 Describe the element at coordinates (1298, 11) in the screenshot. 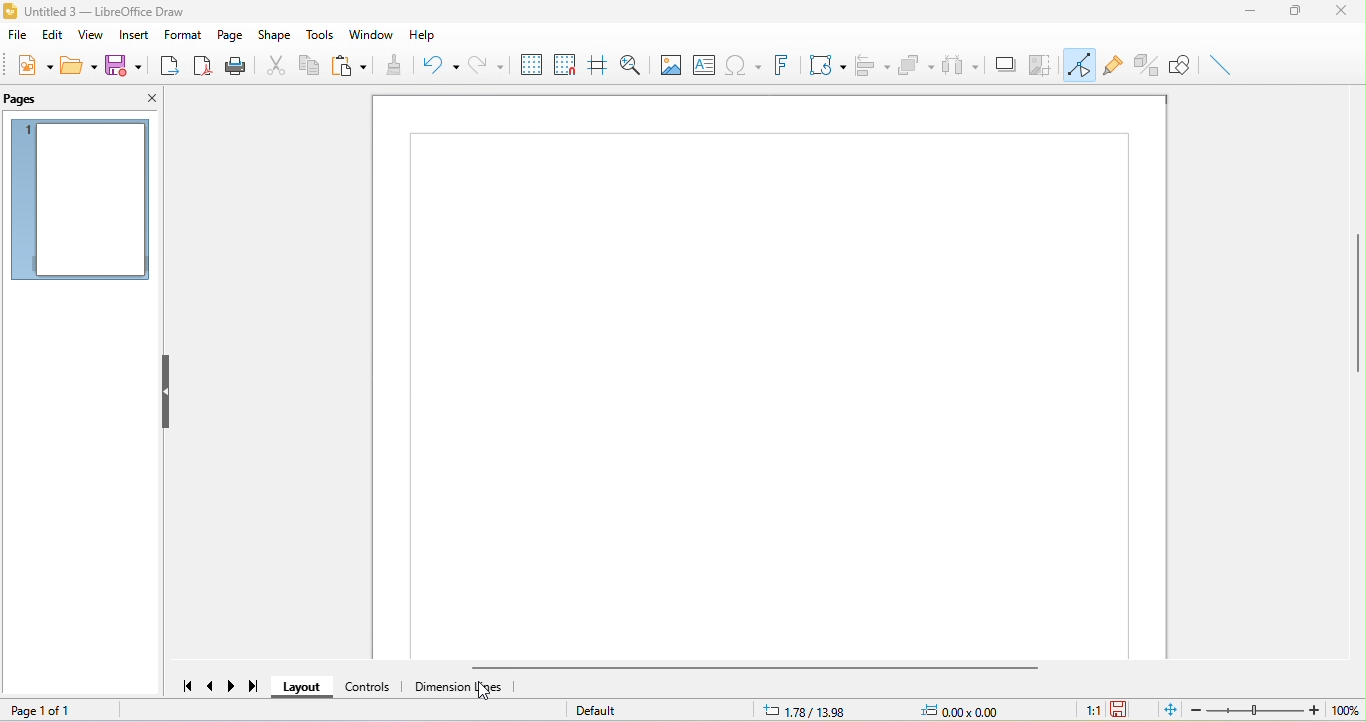

I see `maximize` at that location.